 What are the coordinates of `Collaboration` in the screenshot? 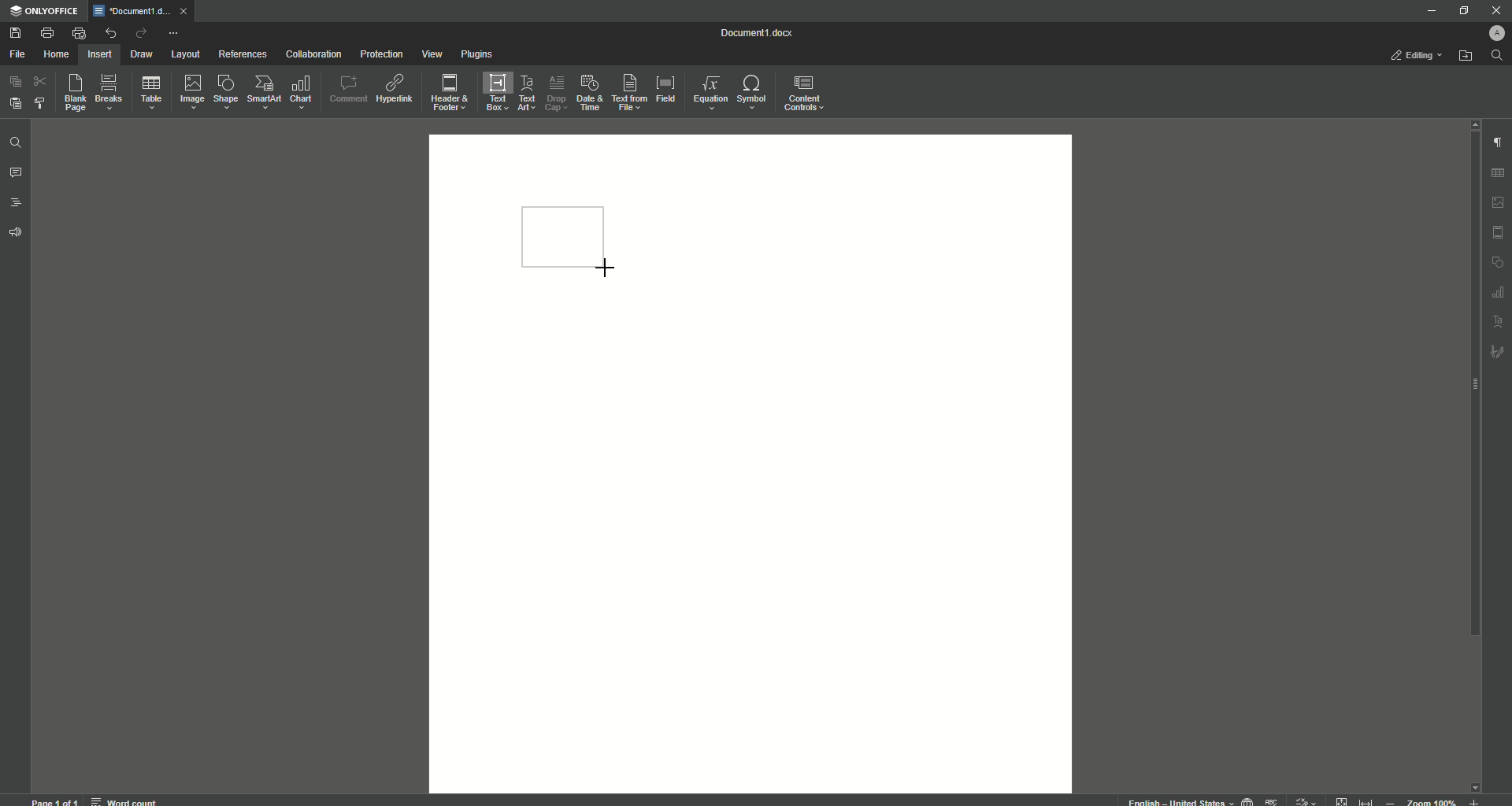 It's located at (313, 56).